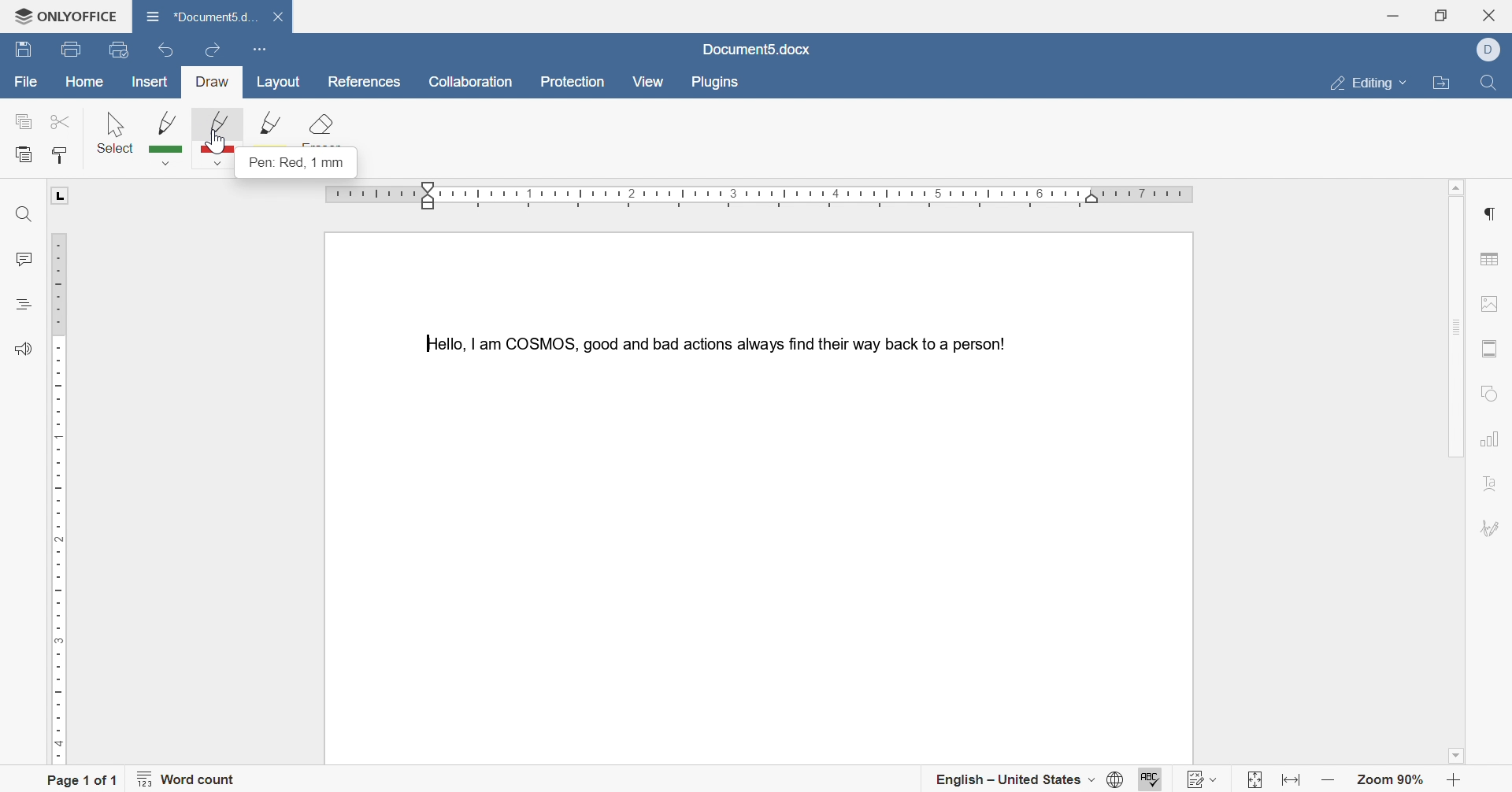  What do you see at coordinates (83, 779) in the screenshot?
I see `page 1 of 1` at bounding box center [83, 779].